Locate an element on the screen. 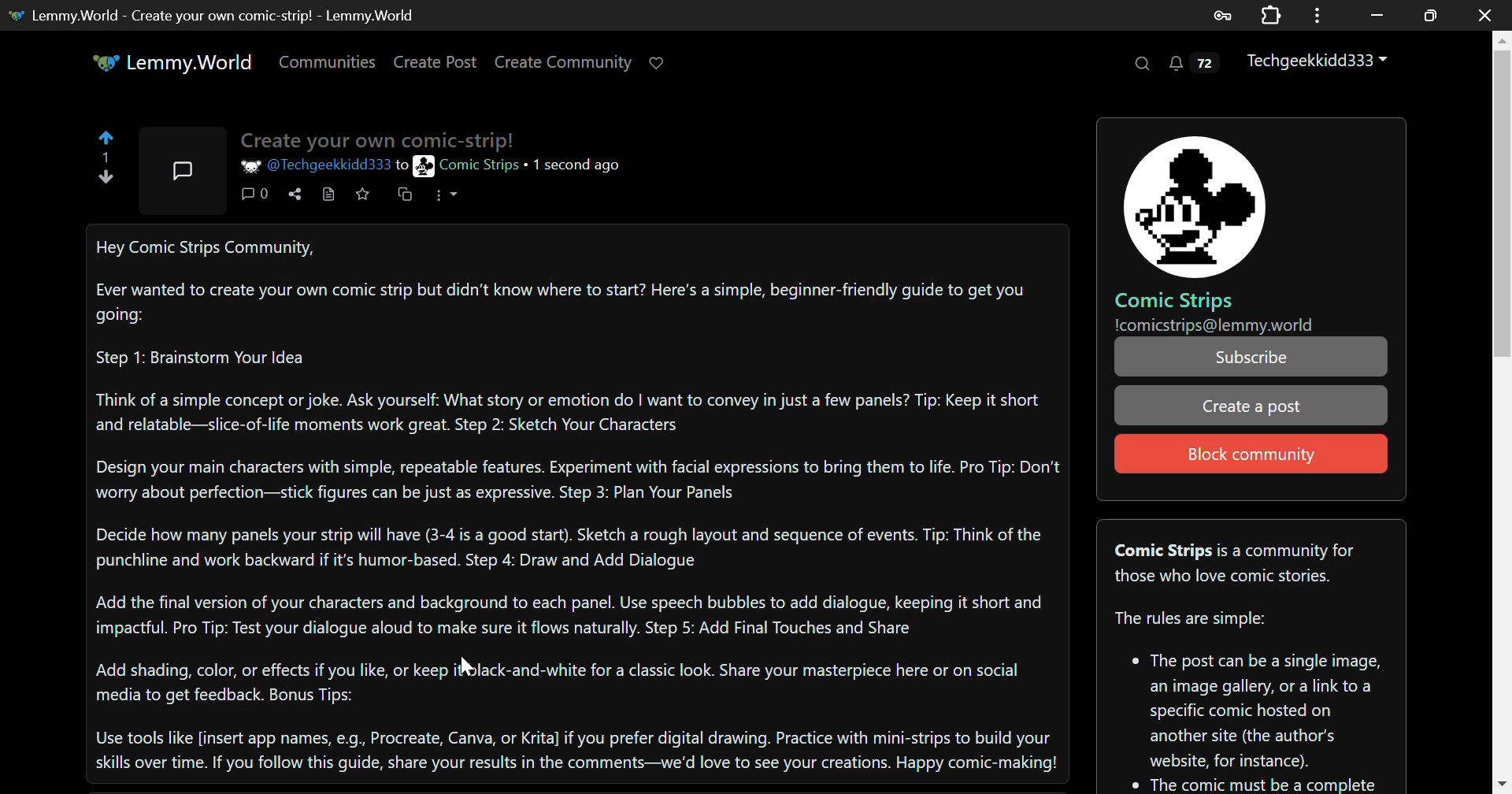 This screenshot has width=1512, height=794. Comments Counter is located at coordinates (259, 195).